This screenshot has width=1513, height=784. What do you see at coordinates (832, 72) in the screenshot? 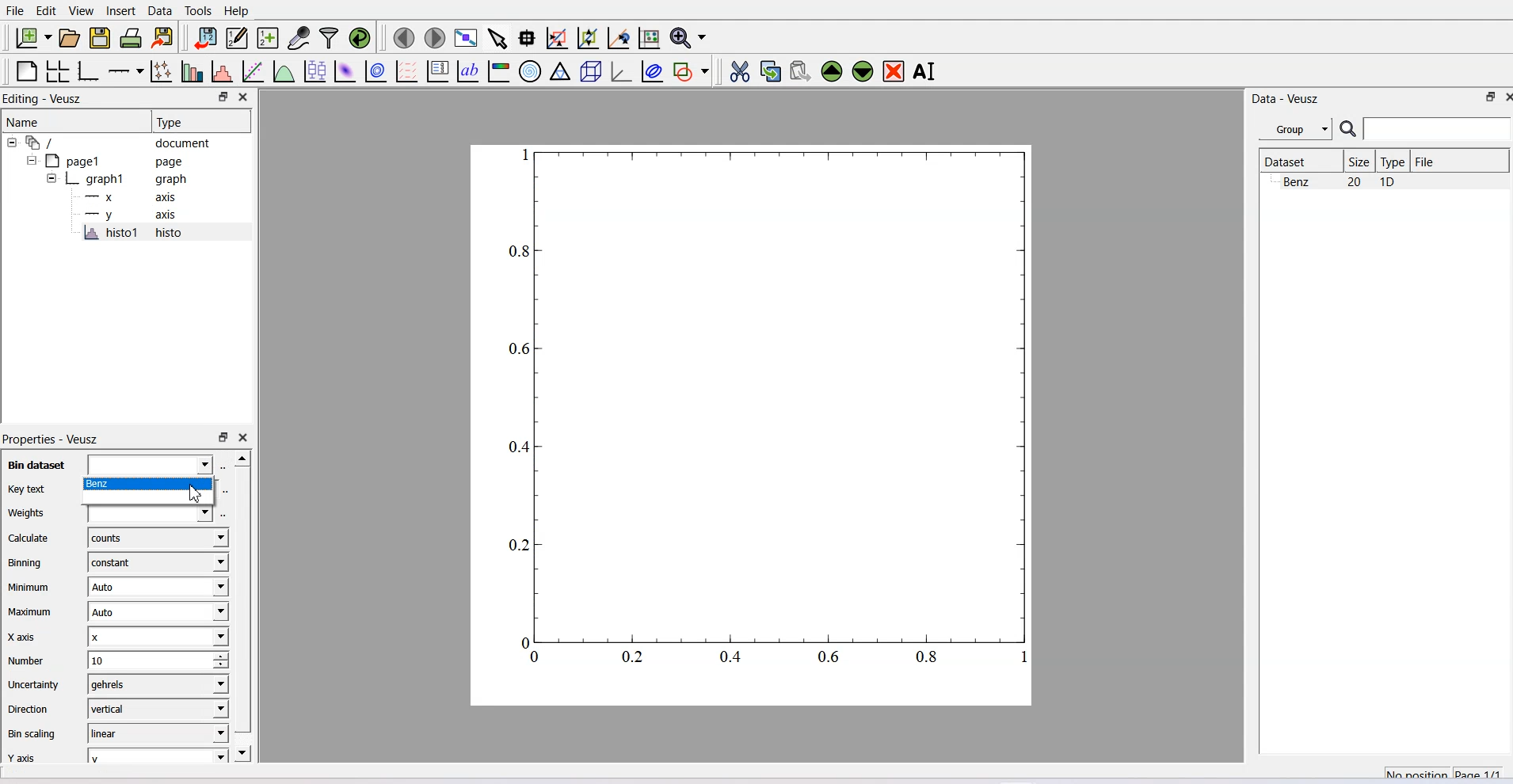
I see `Move the selected widget up` at bounding box center [832, 72].